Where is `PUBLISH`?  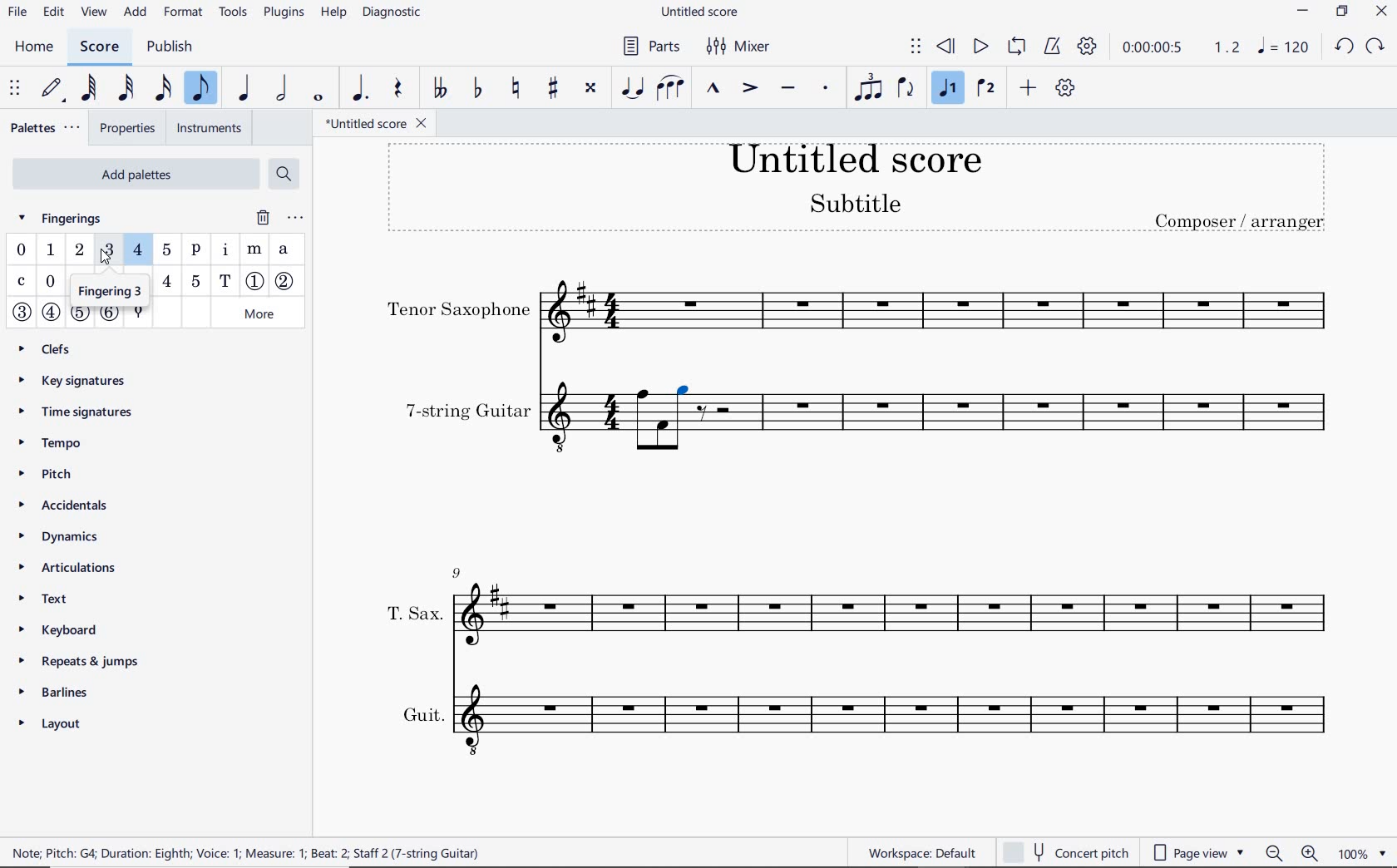
PUBLISH is located at coordinates (175, 47).